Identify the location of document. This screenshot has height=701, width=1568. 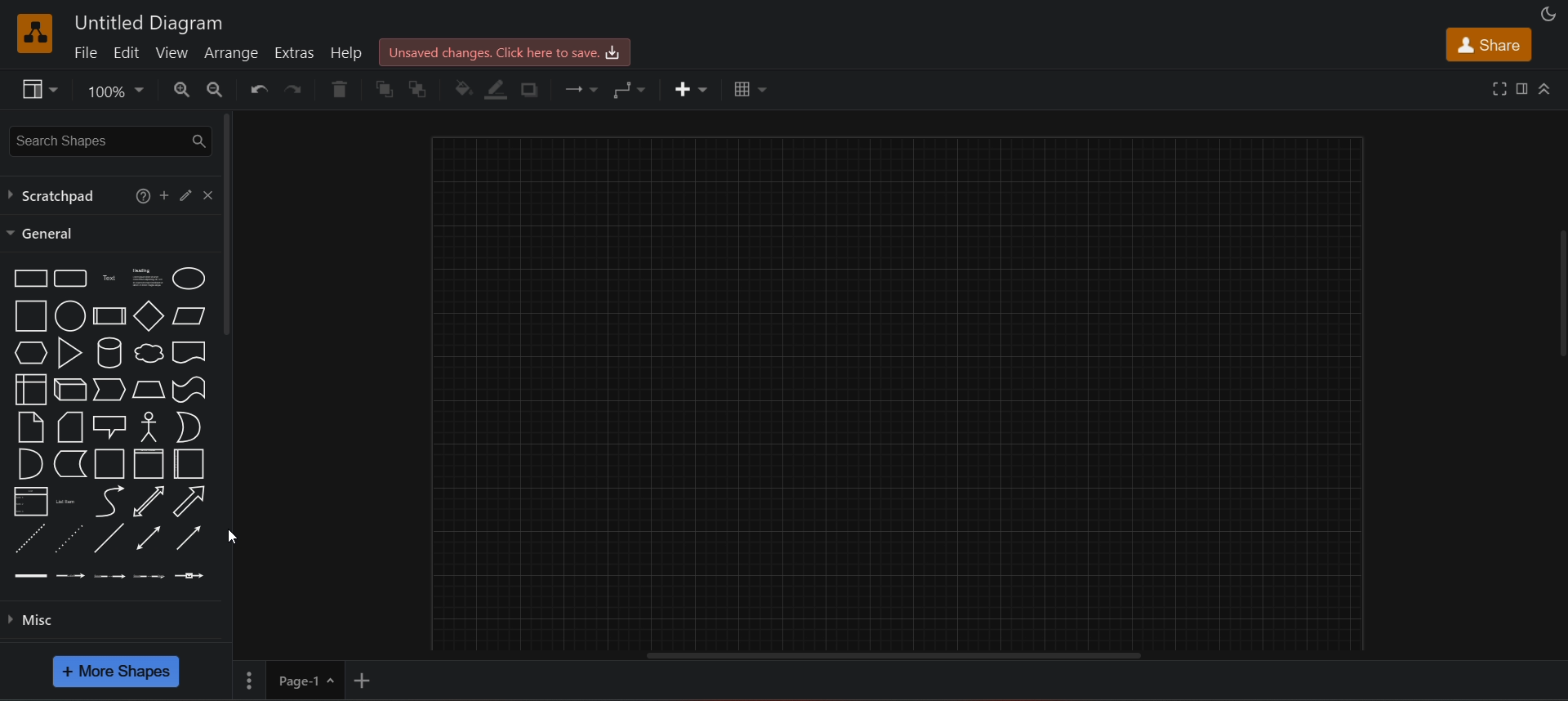
(189, 350).